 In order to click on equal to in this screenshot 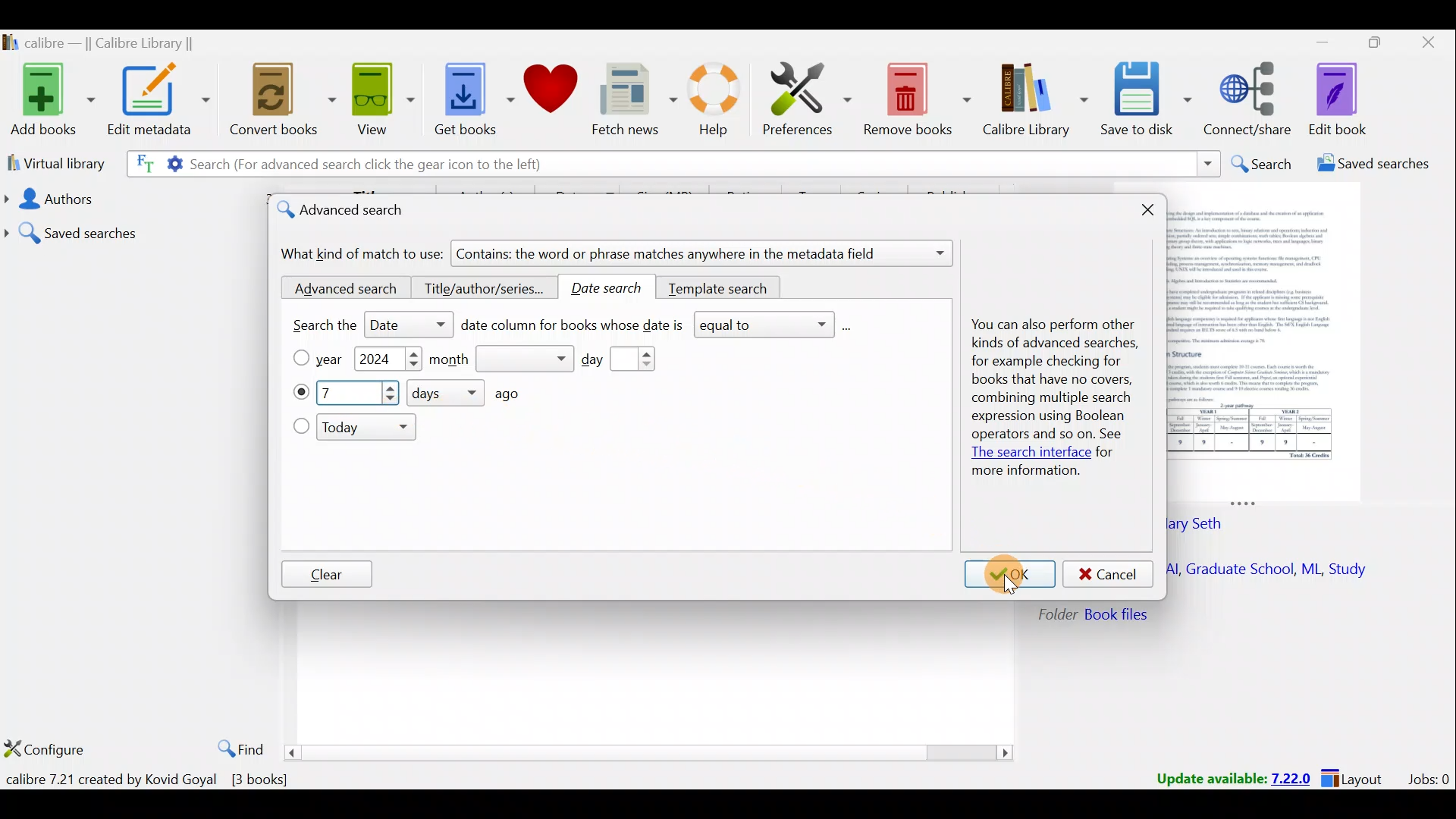, I will do `click(773, 326)`.